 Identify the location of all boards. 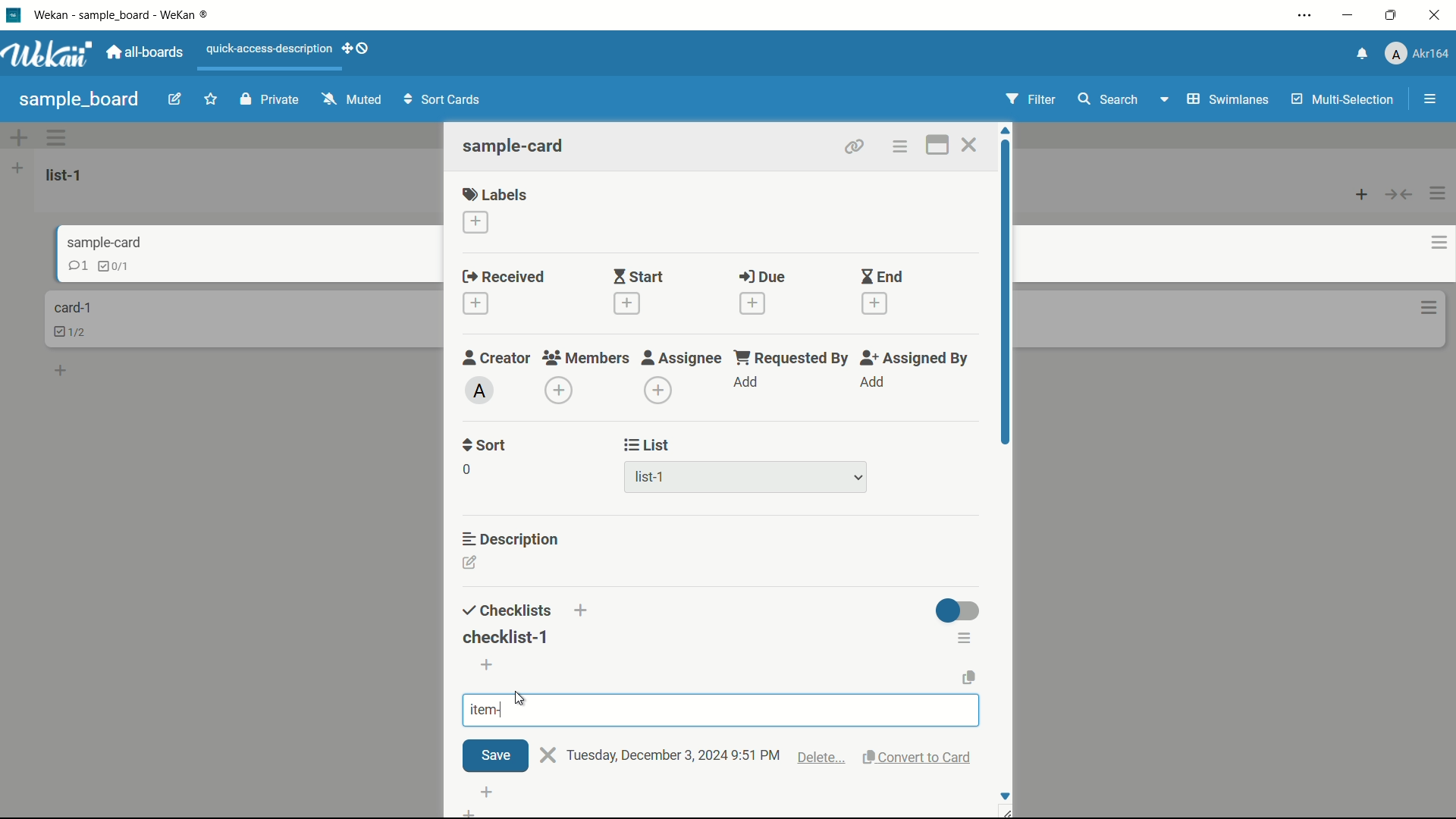
(147, 52).